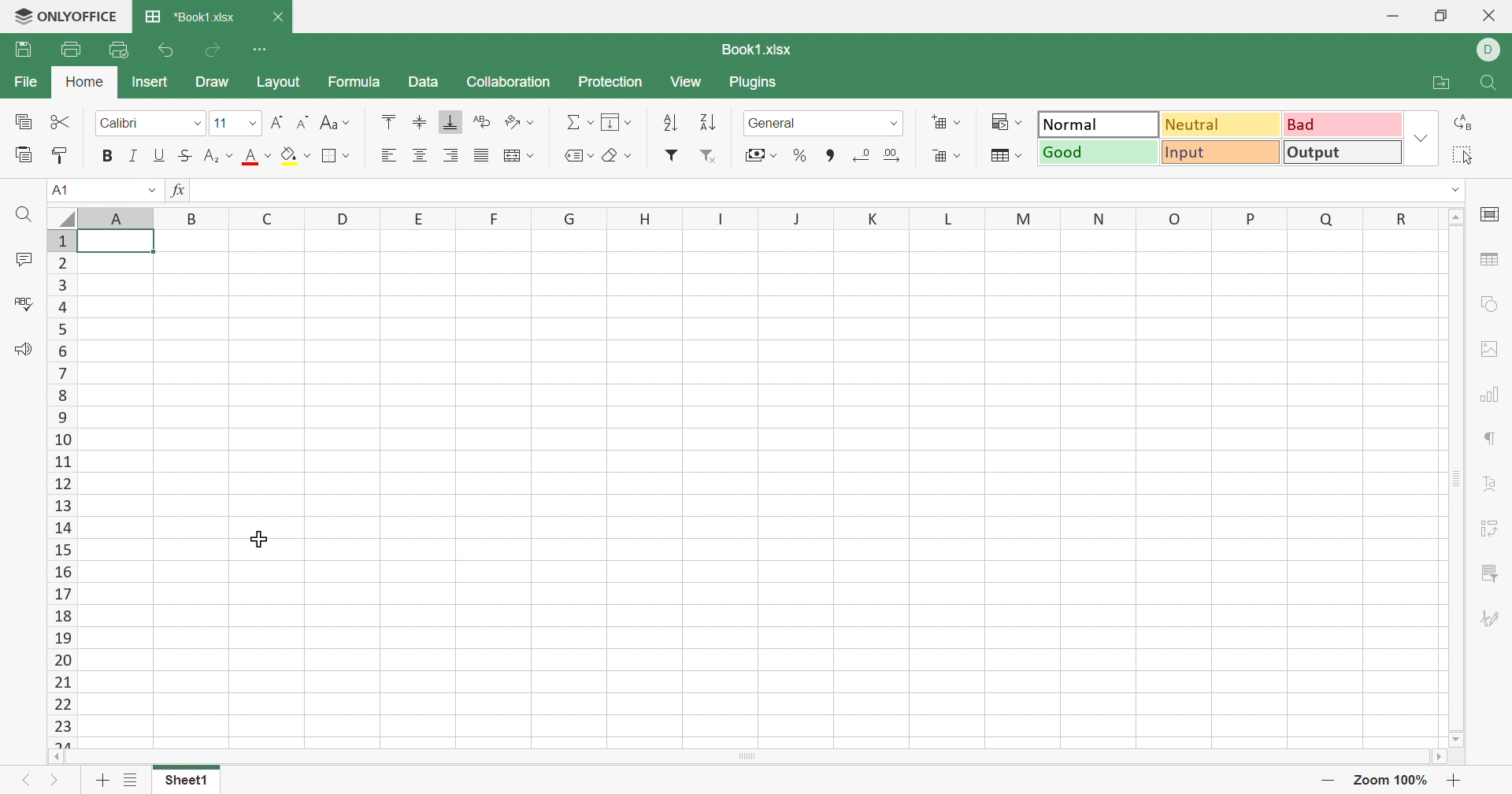  Describe the element at coordinates (1491, 617) in the screenshot. I see `Signature settings` at that location.